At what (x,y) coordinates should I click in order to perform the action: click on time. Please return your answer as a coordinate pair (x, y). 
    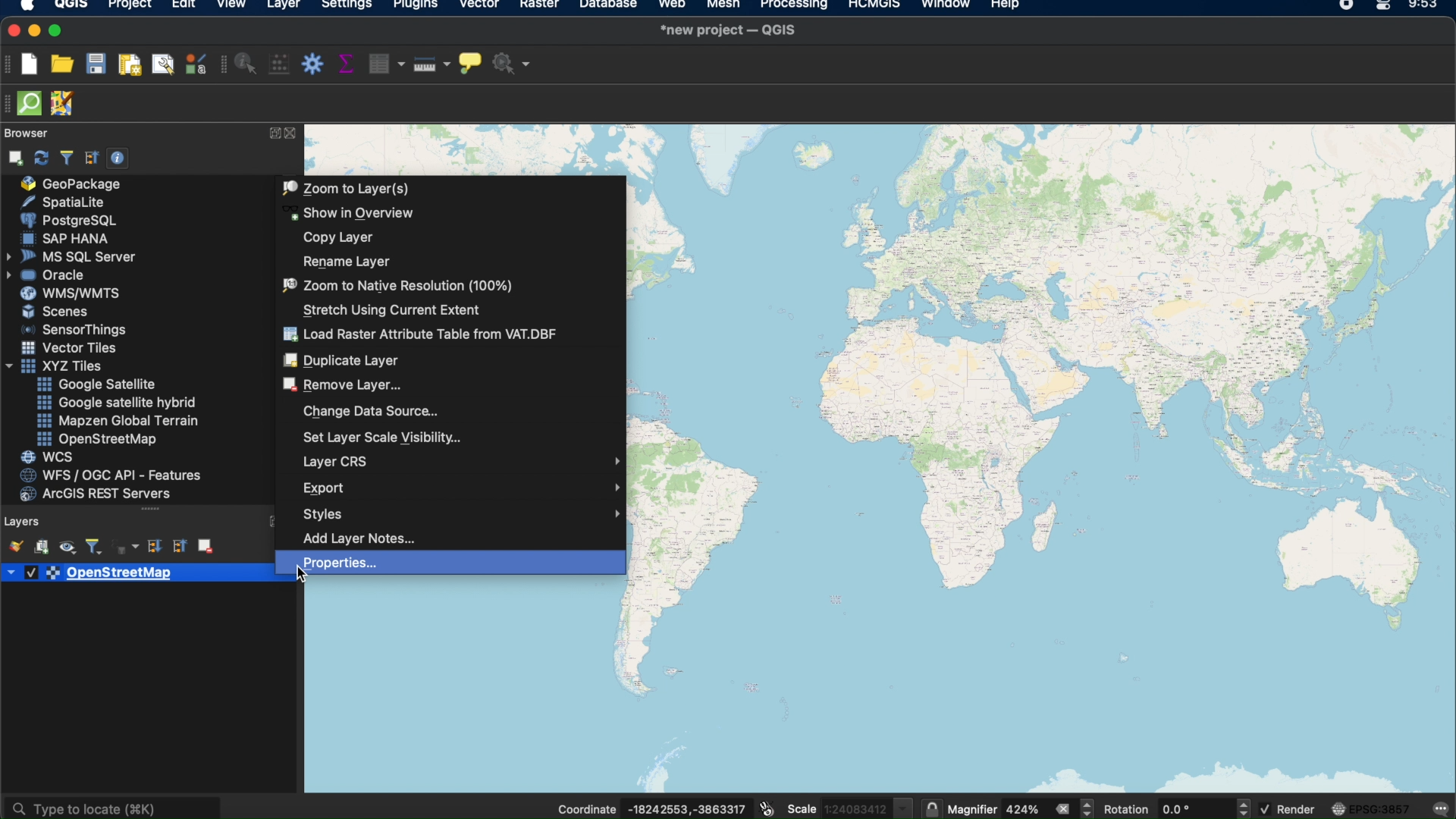
    Looking at the image, I should click on (1422, 7).